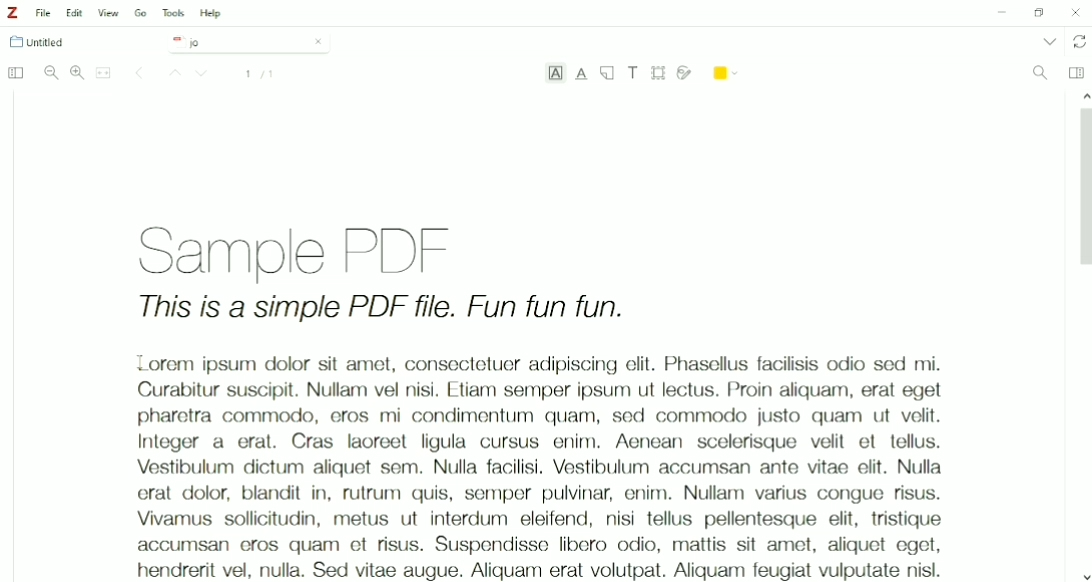  Describe the element at coordinates (582, 74) in the screenshot. I see `Underline Text` at that location.